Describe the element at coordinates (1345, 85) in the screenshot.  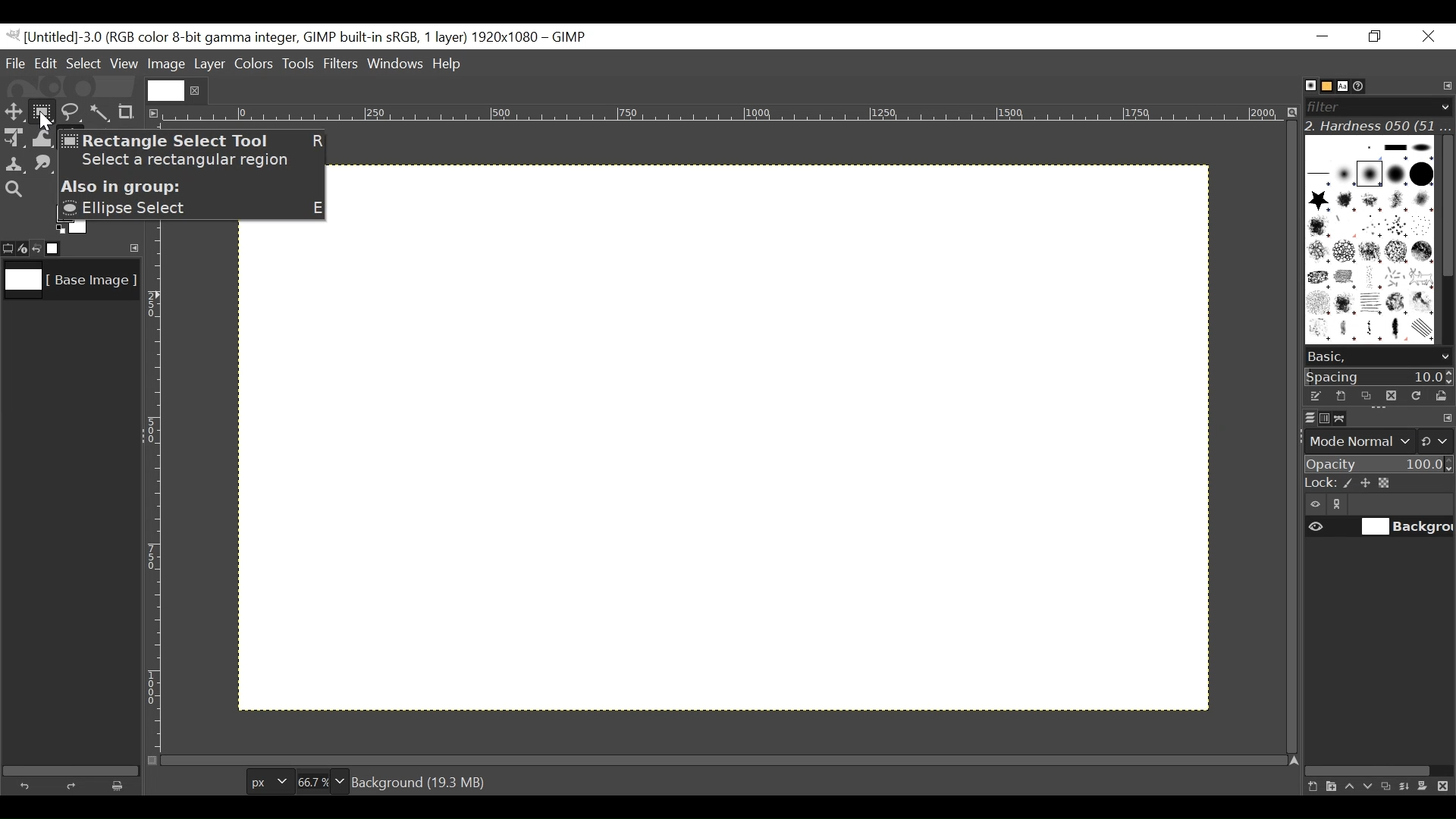
I see `Fonts` at that location.